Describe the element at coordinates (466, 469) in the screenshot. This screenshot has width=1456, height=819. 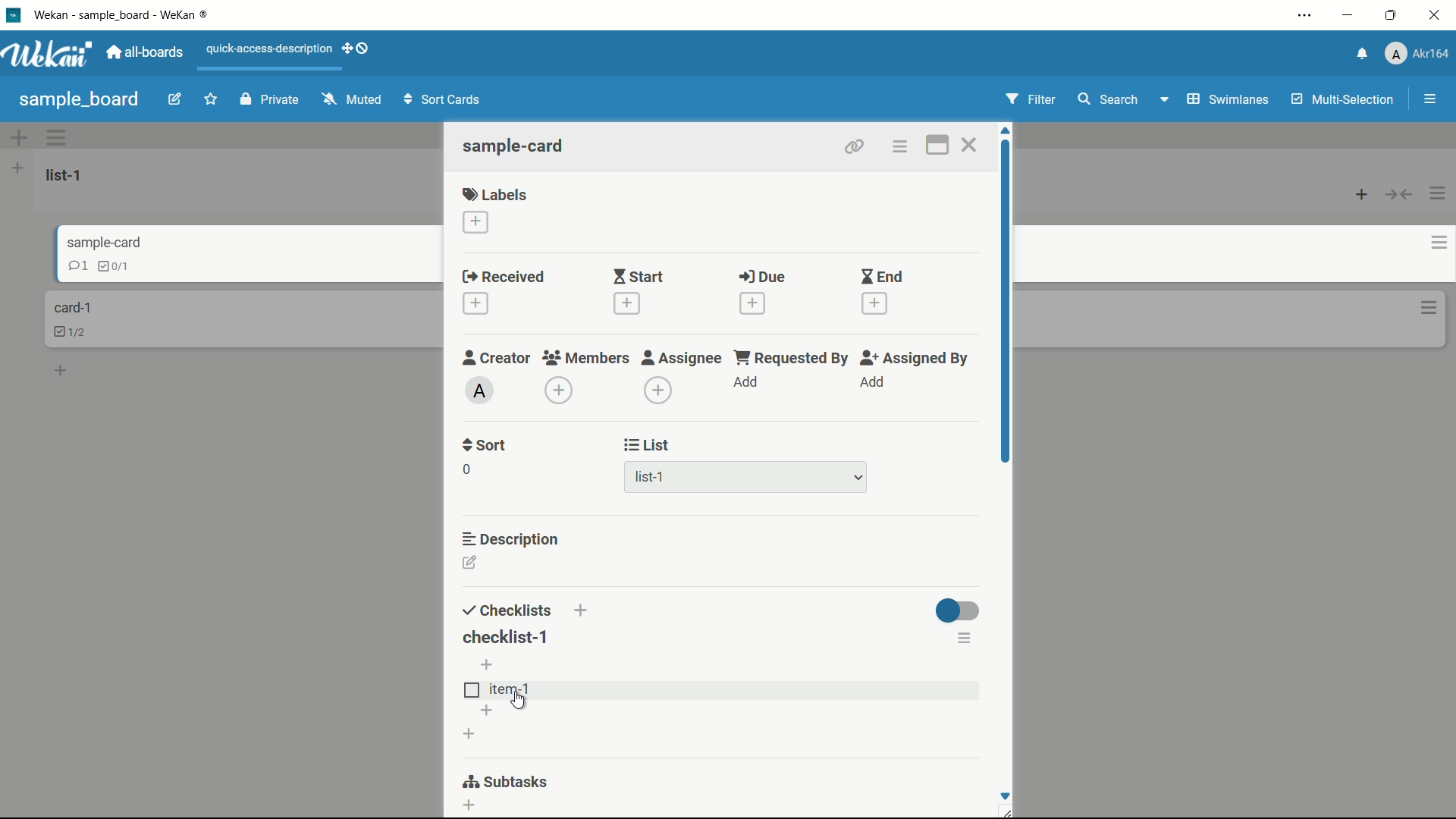
I see `0` at that location.